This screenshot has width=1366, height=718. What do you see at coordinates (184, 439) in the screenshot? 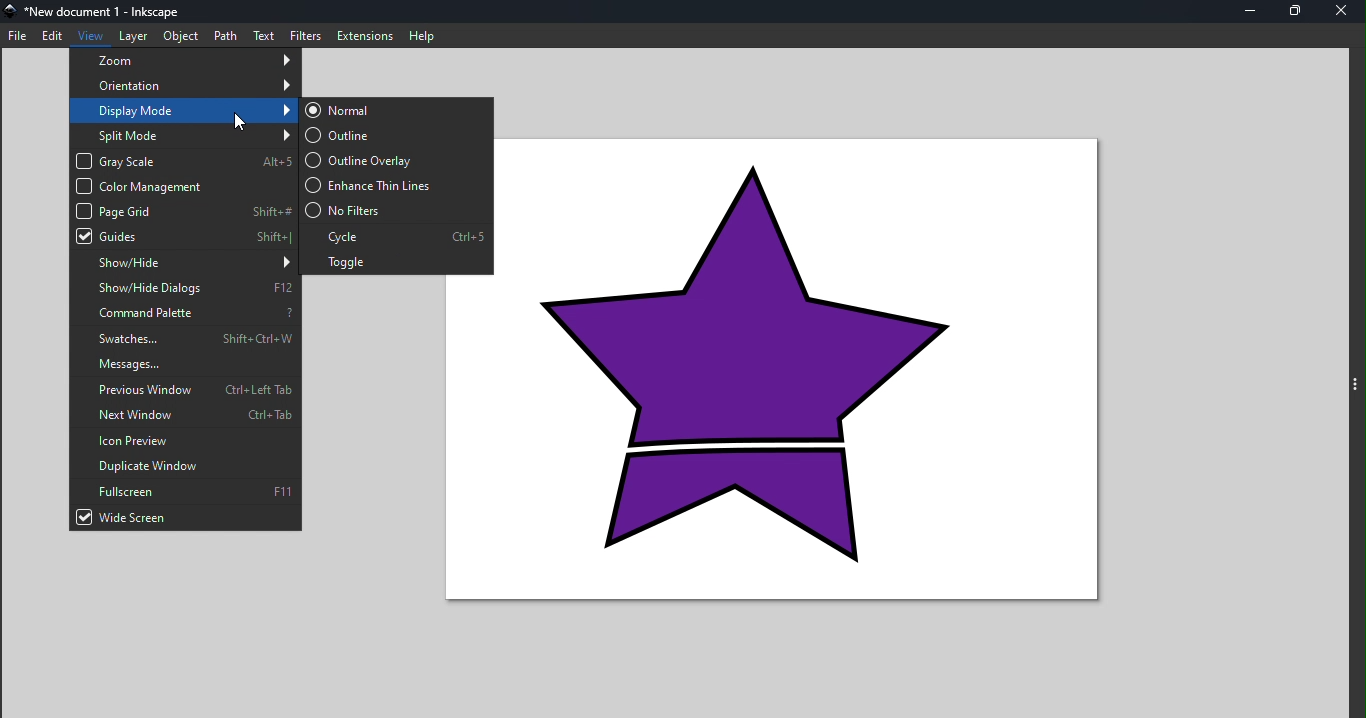
I see `Icon preview` at bounding box center [184, 439].